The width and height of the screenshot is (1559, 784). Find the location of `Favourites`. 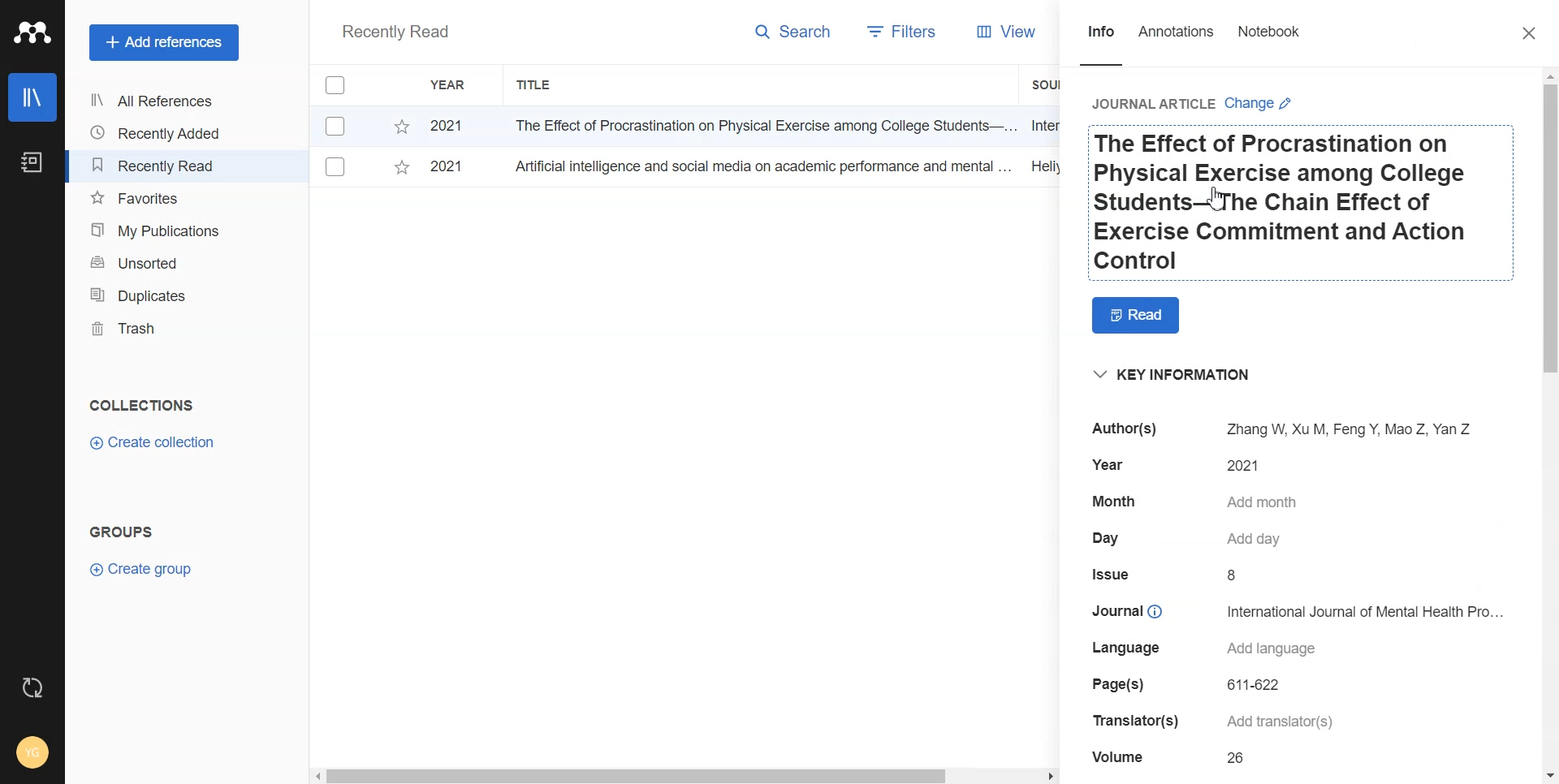

Favourites is located at coordinates (160, 199).